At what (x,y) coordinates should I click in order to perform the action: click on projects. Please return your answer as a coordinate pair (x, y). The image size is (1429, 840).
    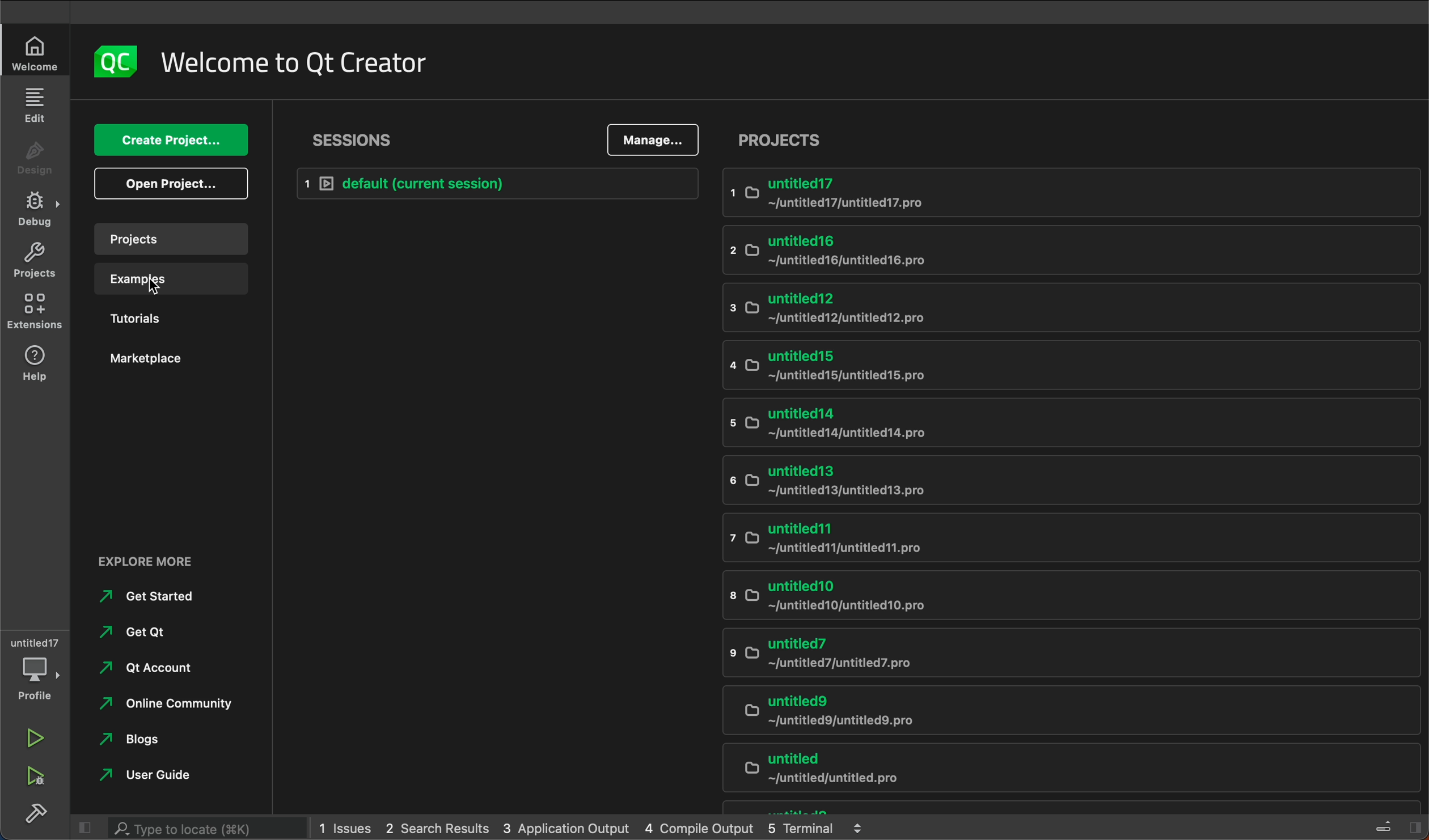
    Looking at the image, I should click on (1066, 142).